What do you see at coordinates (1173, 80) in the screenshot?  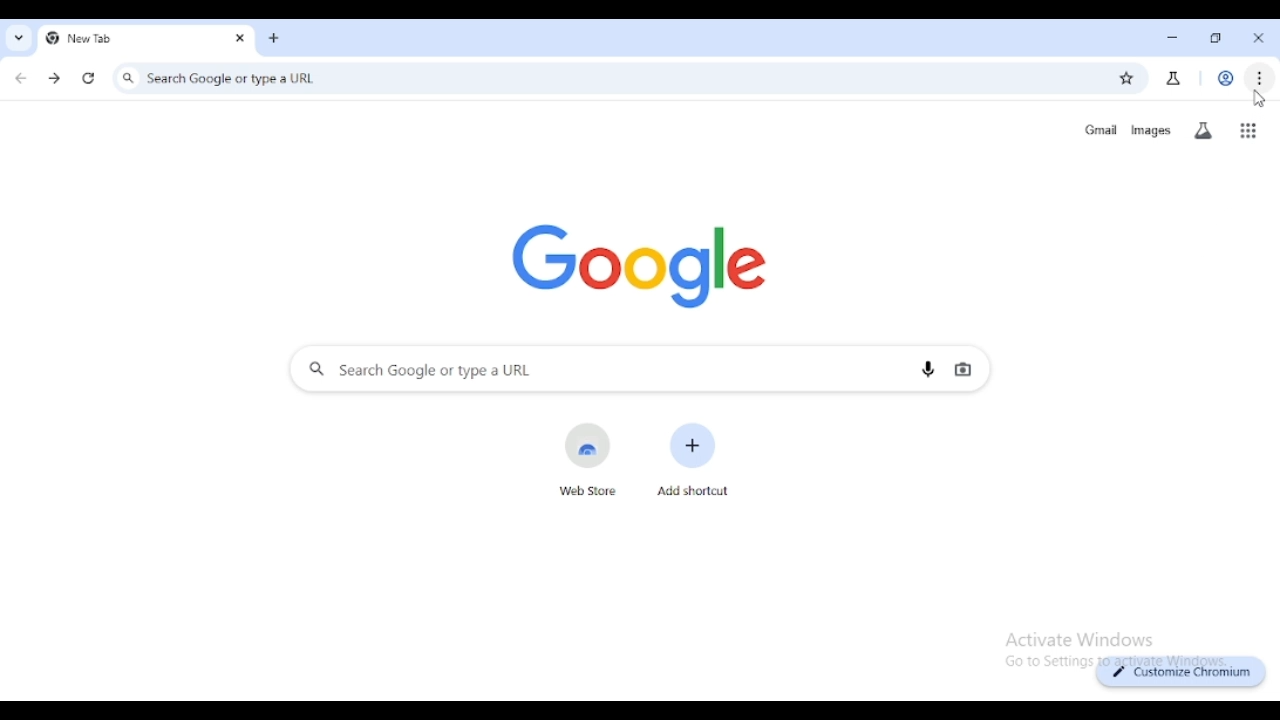 I see `search labs` at bounding box center [1173, 80].